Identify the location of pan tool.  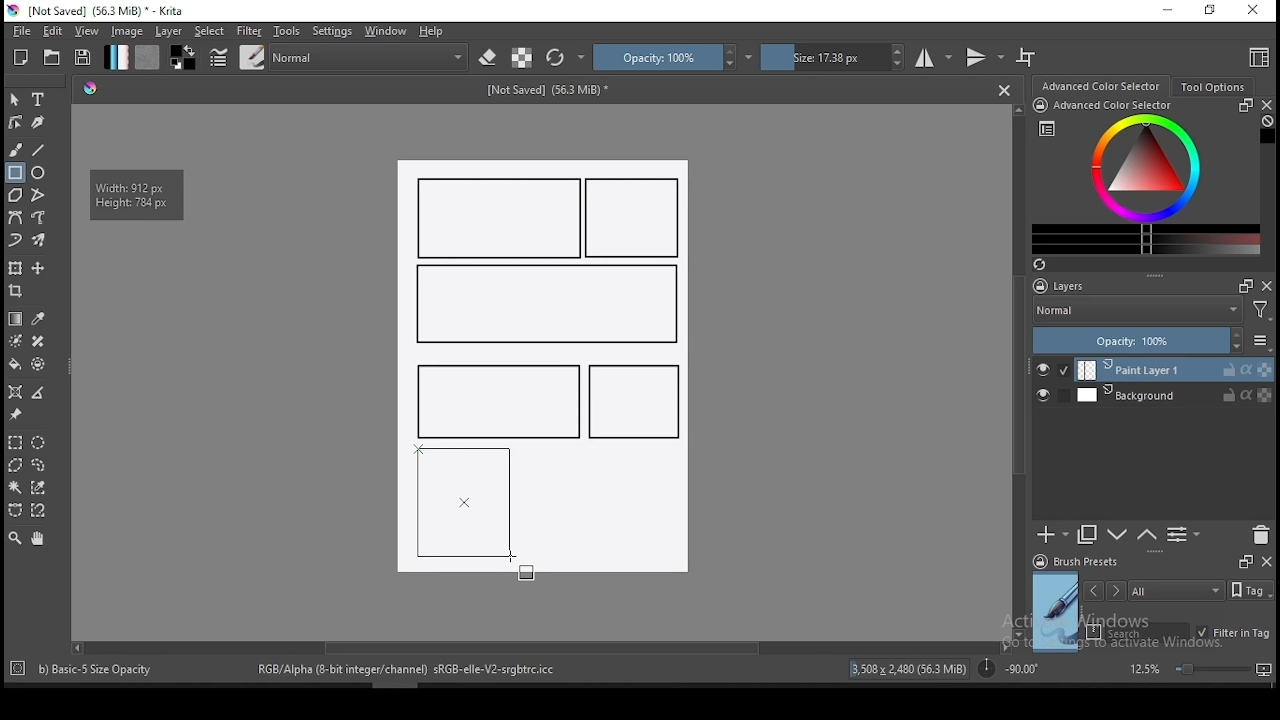
(36, 539).